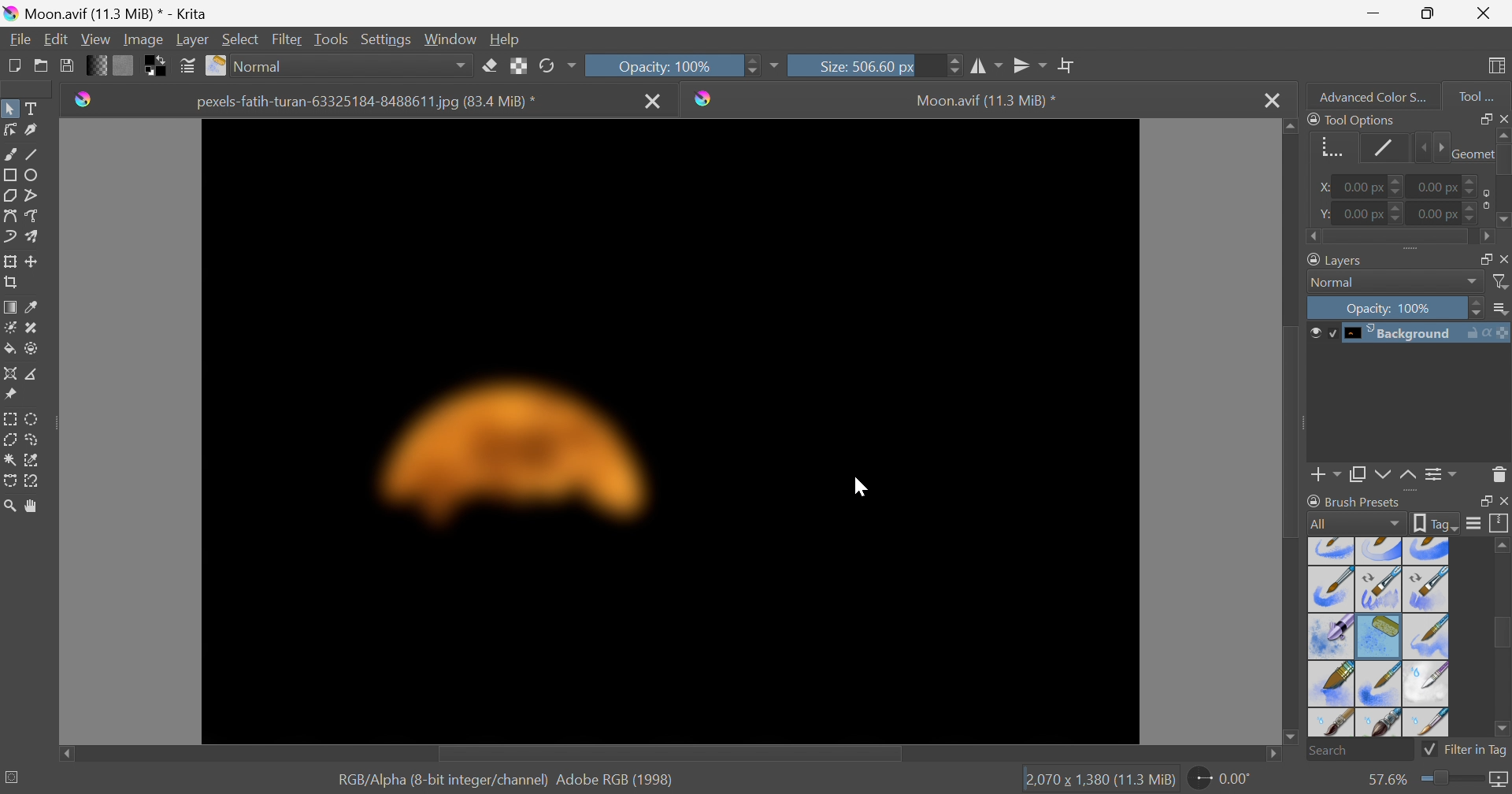 The image size is (1512, 794). Describe the element at coordinates (32, 150) in the screenshot. I see `Line tool` at that location.